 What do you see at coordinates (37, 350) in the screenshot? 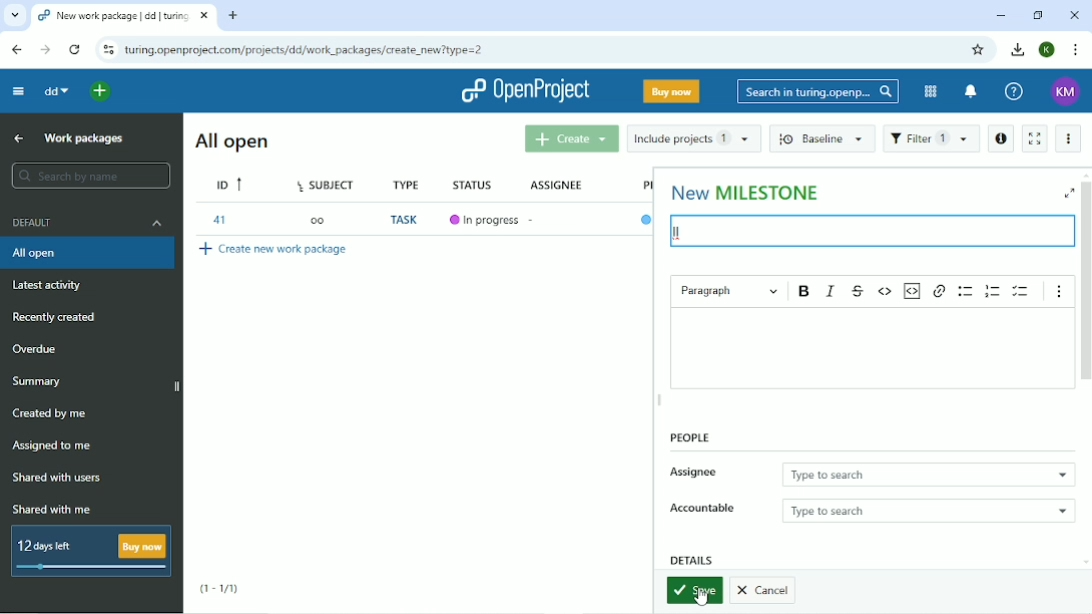
I see `Overdue` at bounding box center [37, 350].